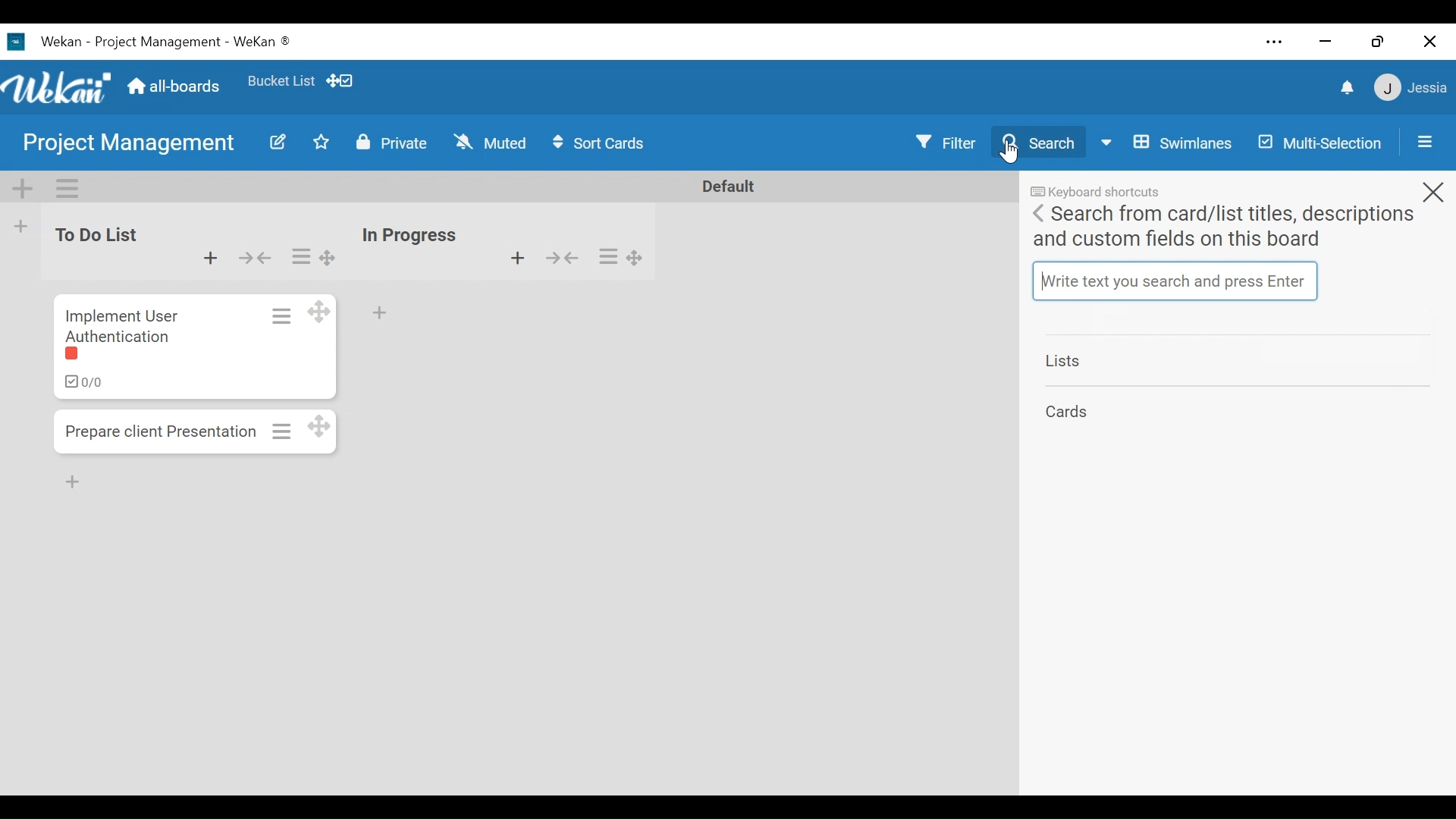 The height and width of the screenshot is (819, 1456). Describe the element at coordinates (325, 426) in the screenshot. I see `Desktop drag handles` at that location.